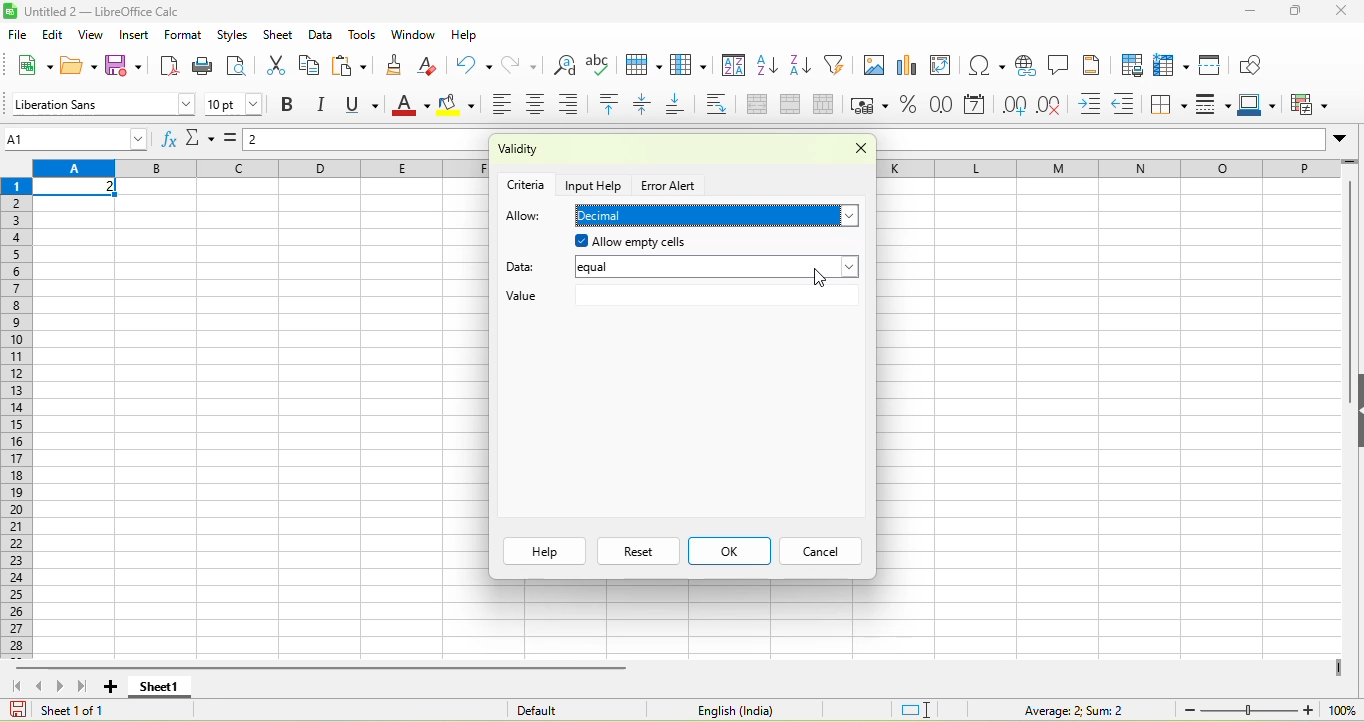 The width and height of the screenshot is (1364, 722). Describe the element at coordinates (1253, 64) in the screenshot. I see `show draw function` at that location.